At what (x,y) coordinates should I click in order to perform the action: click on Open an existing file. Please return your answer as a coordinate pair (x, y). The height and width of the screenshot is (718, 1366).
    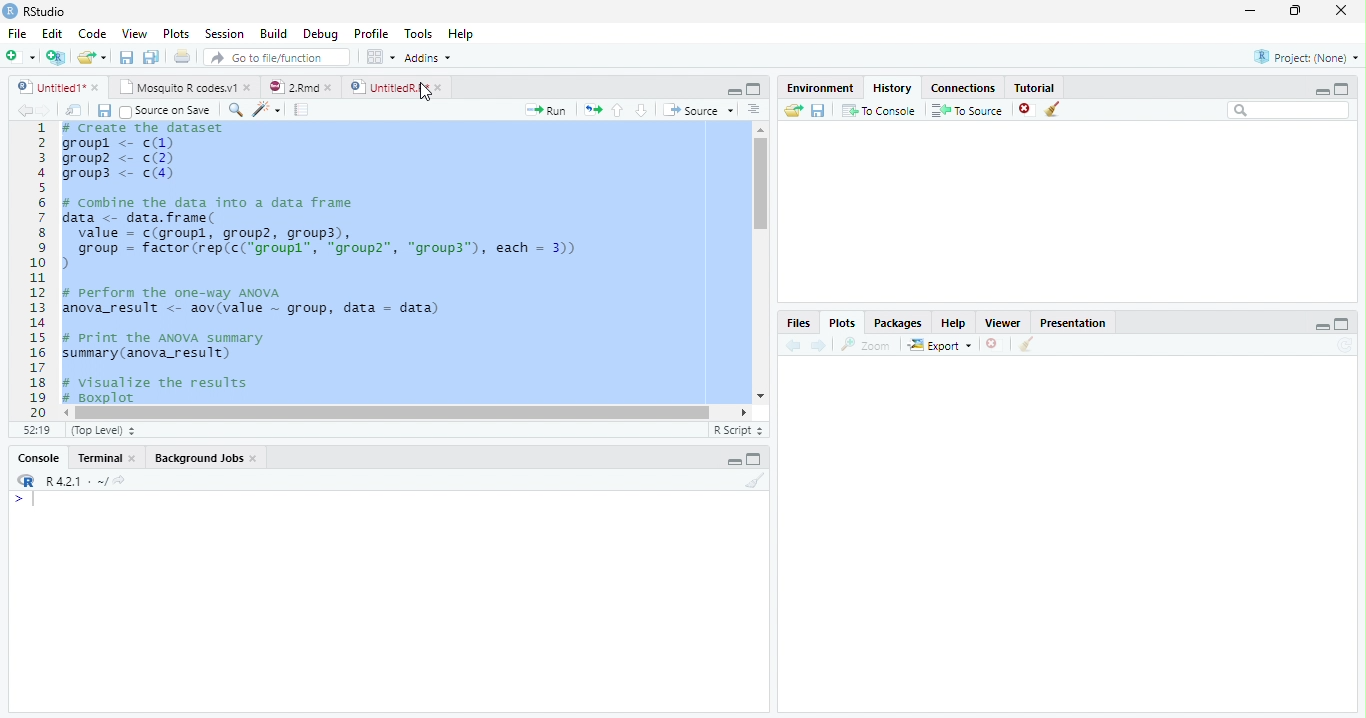
    Looking at the image, I should click on (92, 57).